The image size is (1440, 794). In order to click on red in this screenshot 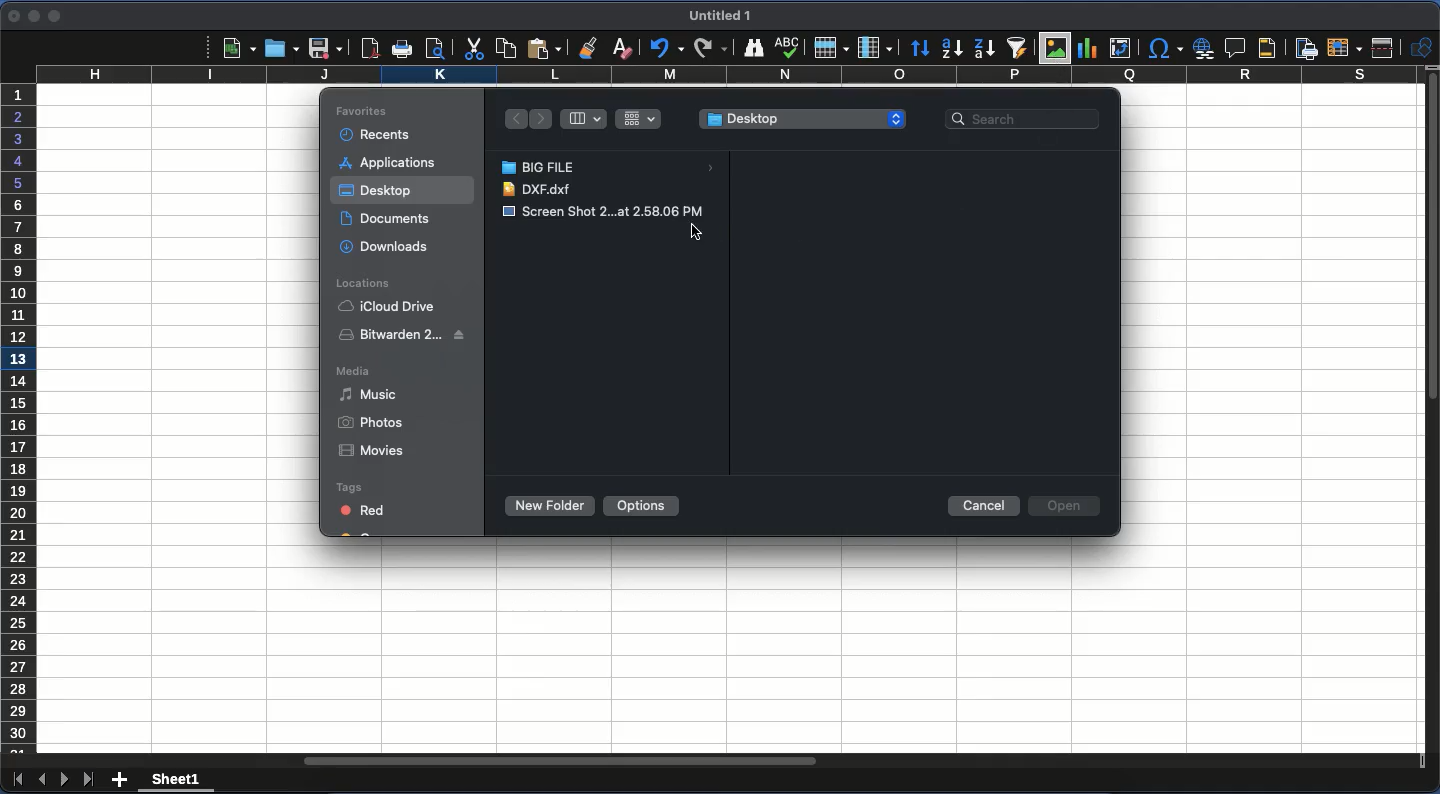, I will do `click(363, 509)`.